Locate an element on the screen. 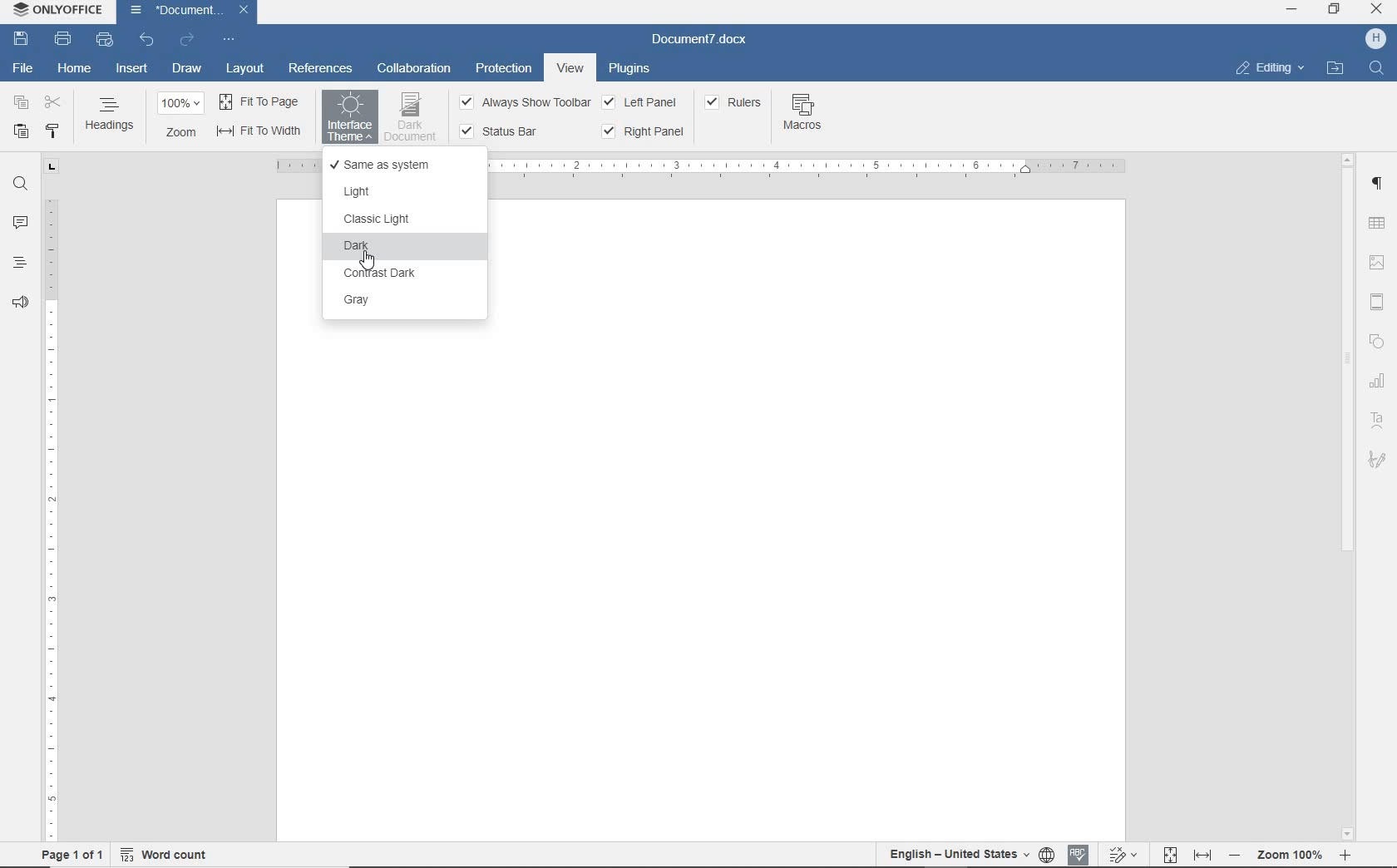 The height and width of the screenshot is (868, 1397). COLLABORATION is located at coordinates (414, 69).